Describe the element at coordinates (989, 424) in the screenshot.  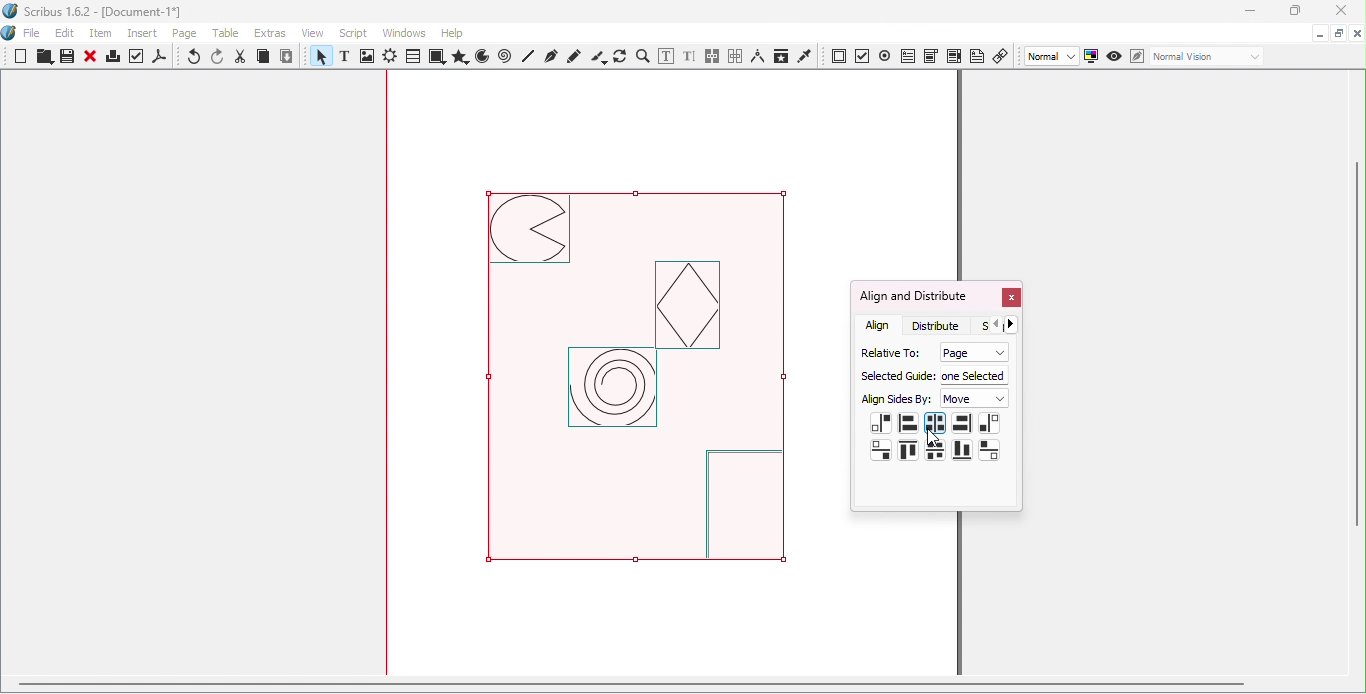
I see `Align left sides of items to right sides of anchor` at that location.